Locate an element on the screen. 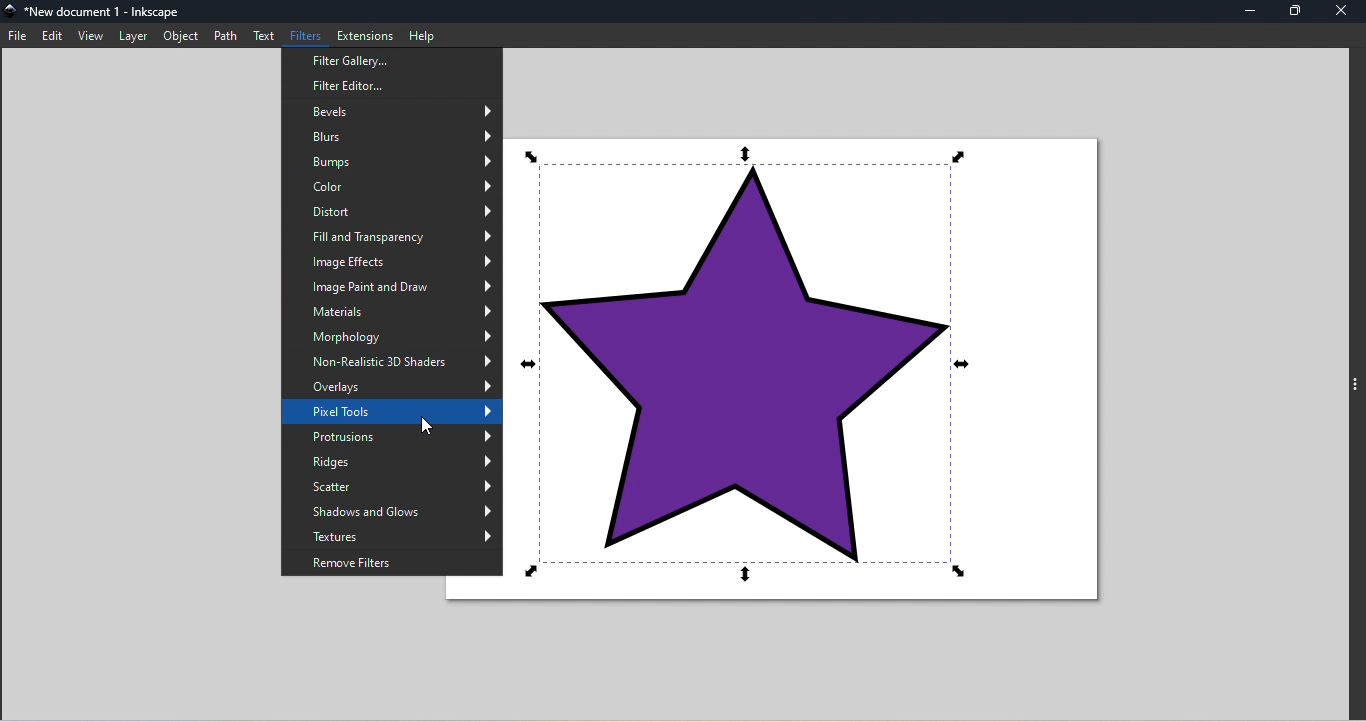 Image resolution: width=1366 pixels, height=722 pixels. Minimize is located at coordinates (1248, 11).